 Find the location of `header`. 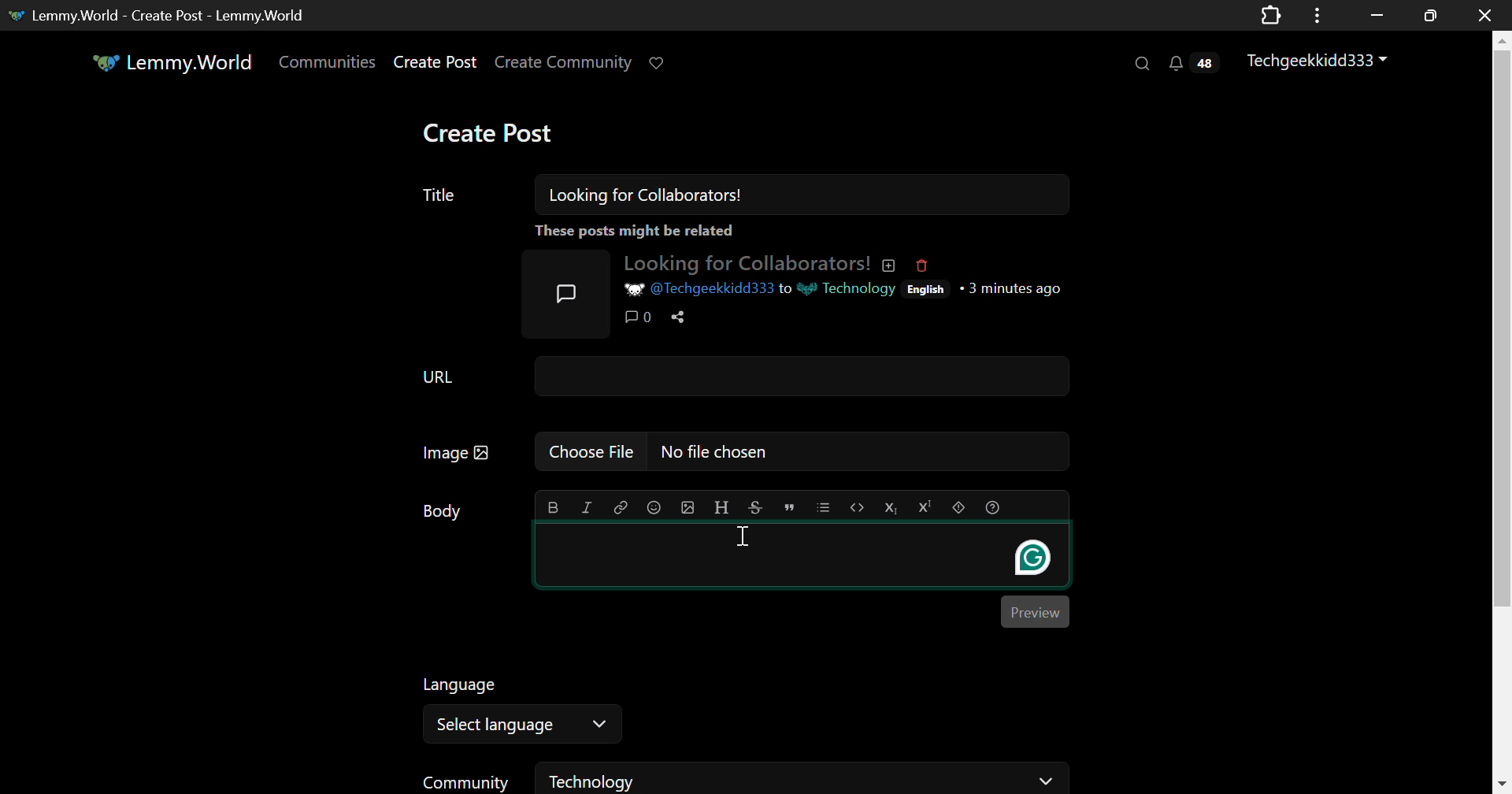

header is located at coordinates (722, 508).